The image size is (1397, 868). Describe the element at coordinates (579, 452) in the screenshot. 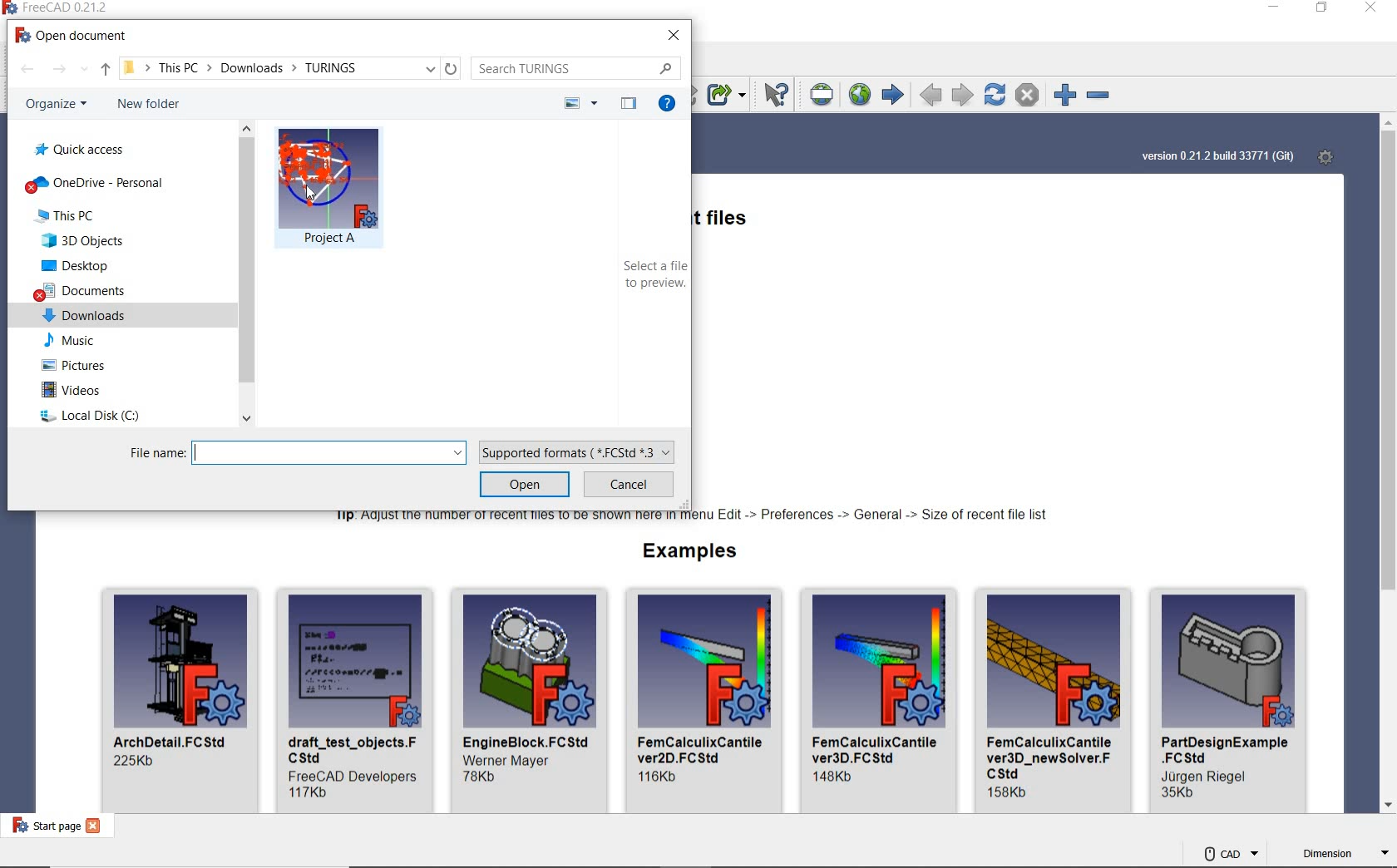

I see `SUPPORTED FORMATS` at that location.